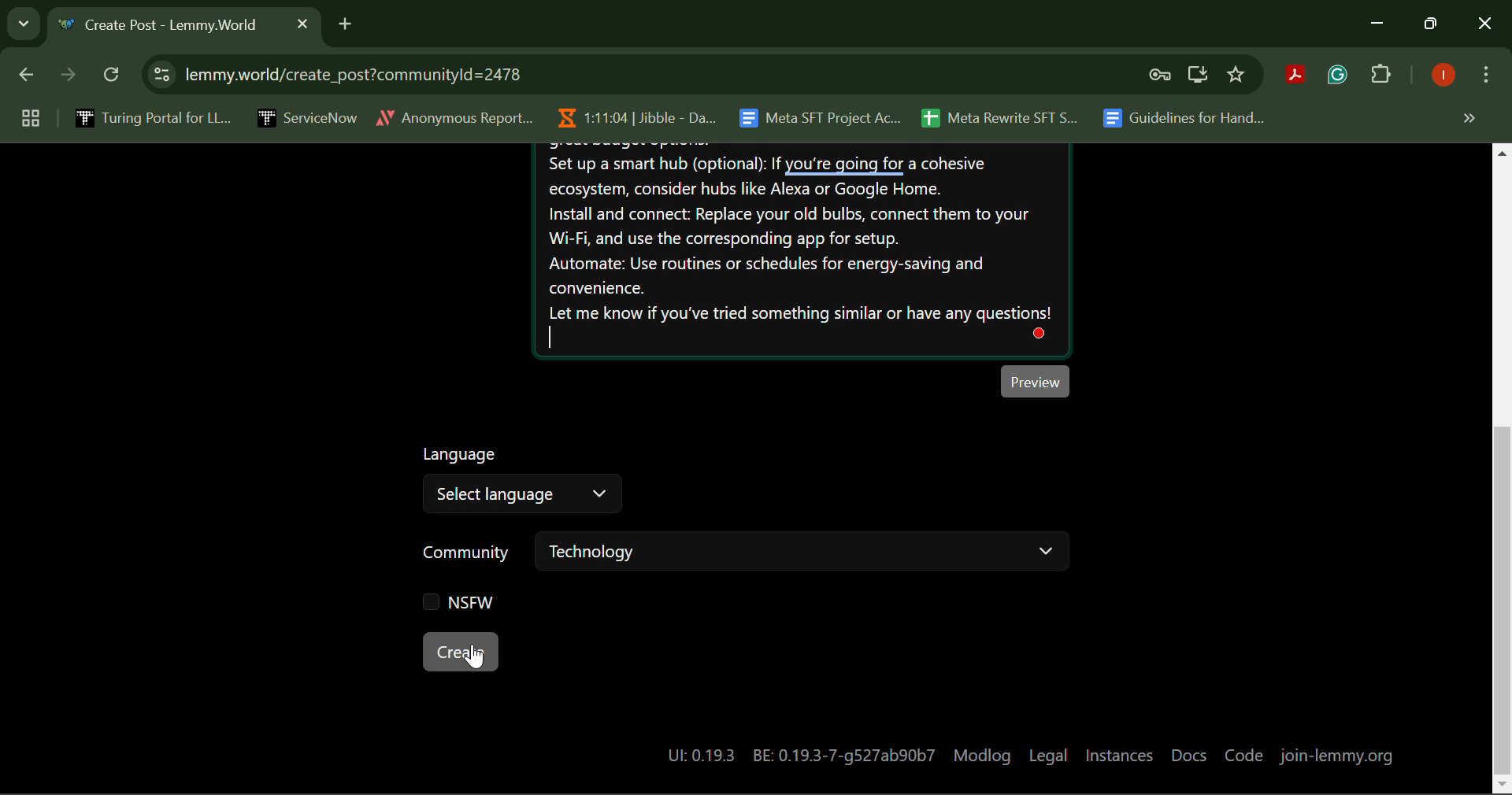  I want to click on Legal, so click(1049, 751).